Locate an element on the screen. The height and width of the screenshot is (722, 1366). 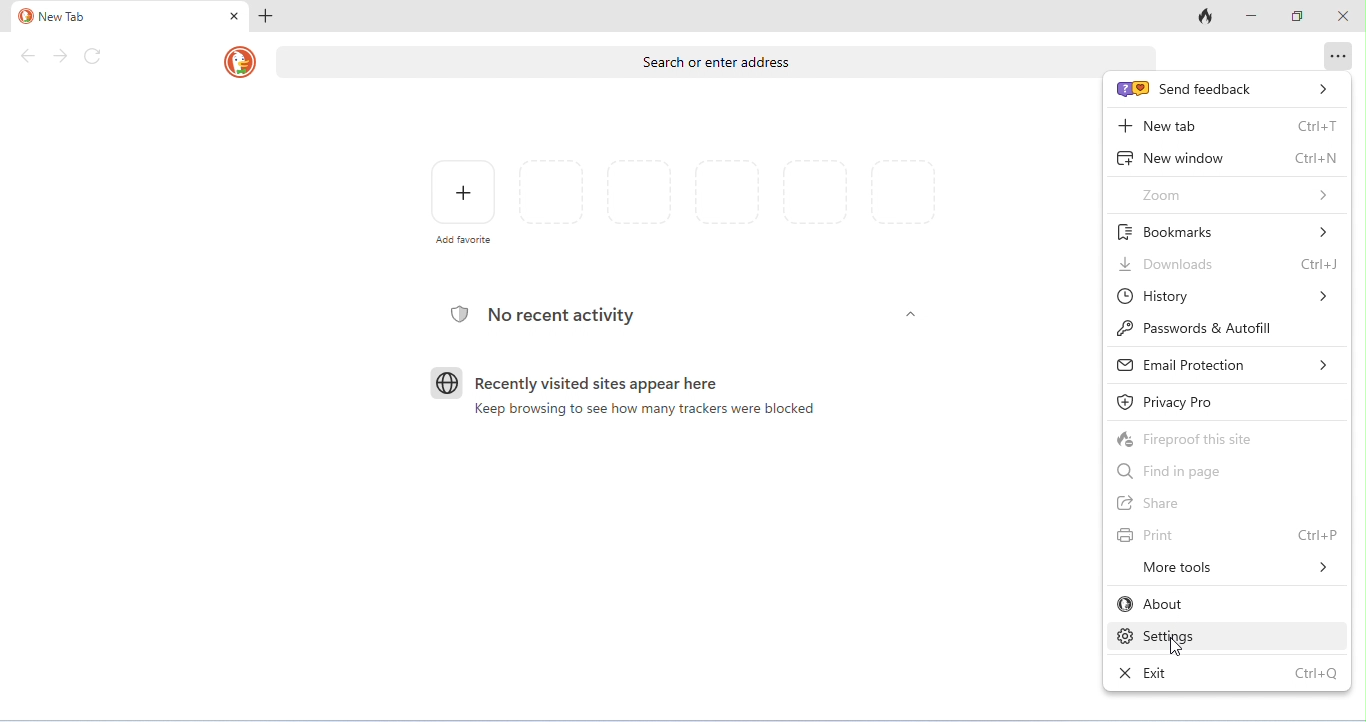
refresh is located at coordinates (94, 57).